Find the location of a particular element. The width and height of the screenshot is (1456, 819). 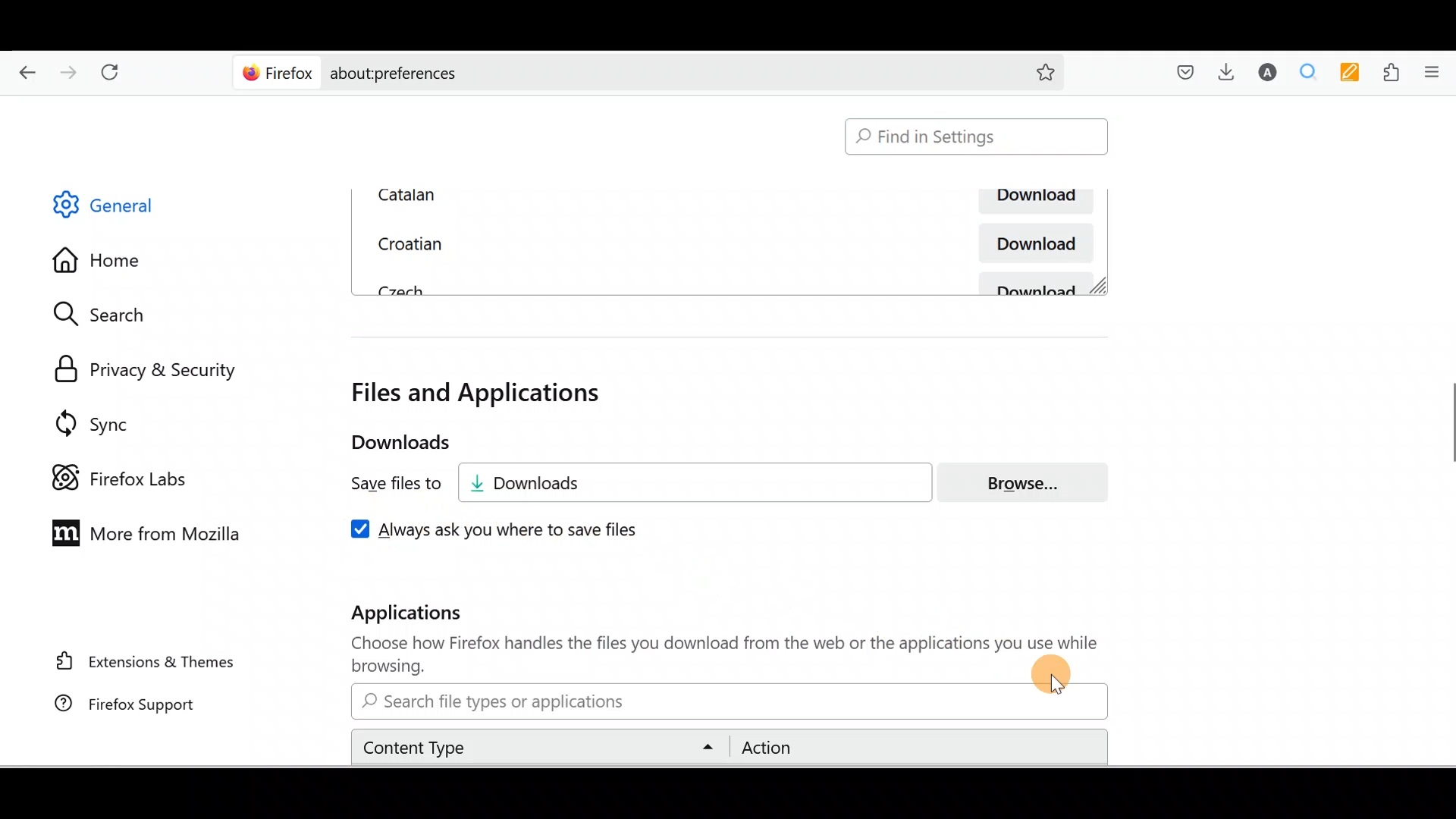

Action is located at coordinates (914, 748).